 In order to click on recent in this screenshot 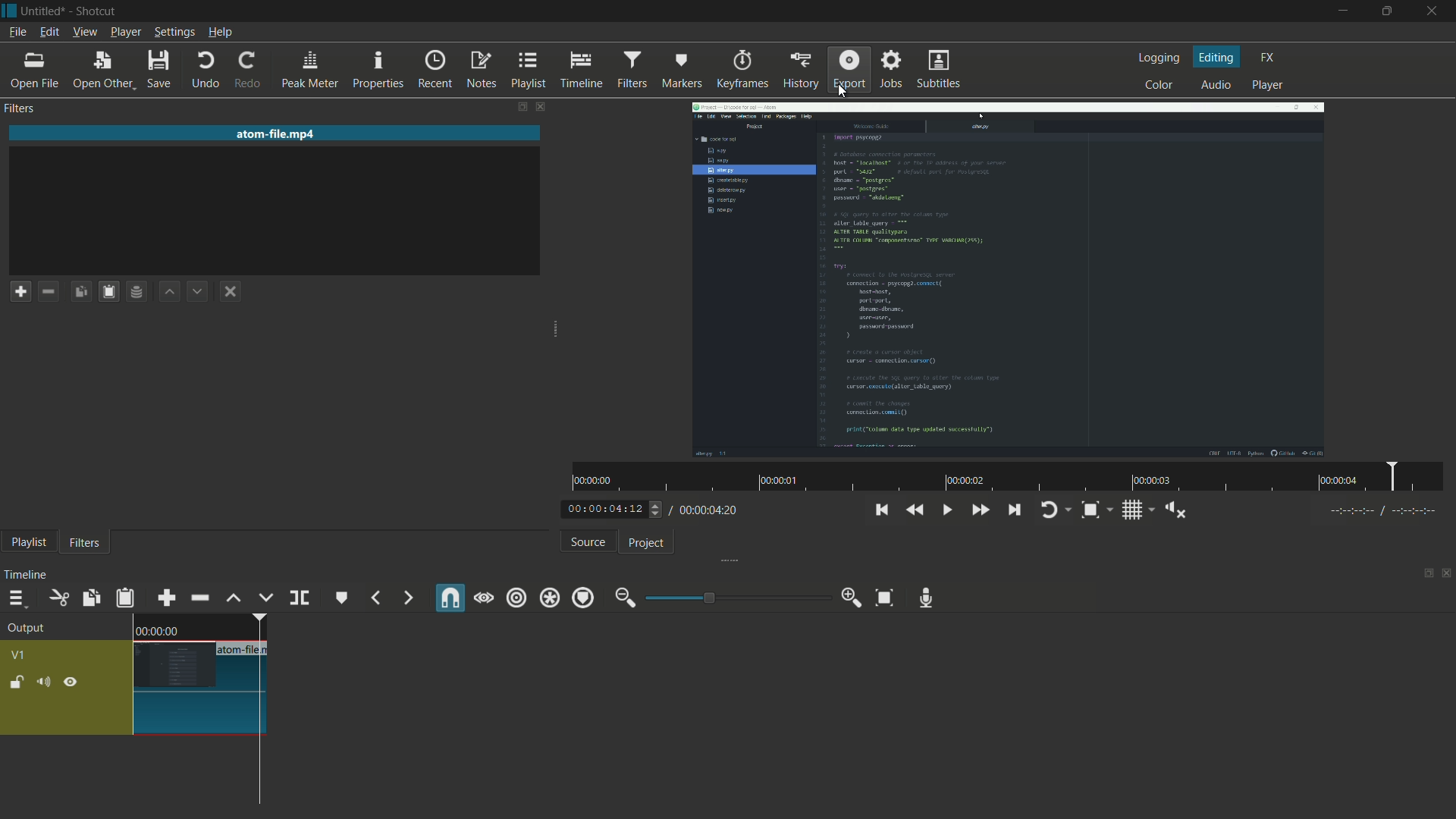, I will do `click(435, 71)`.